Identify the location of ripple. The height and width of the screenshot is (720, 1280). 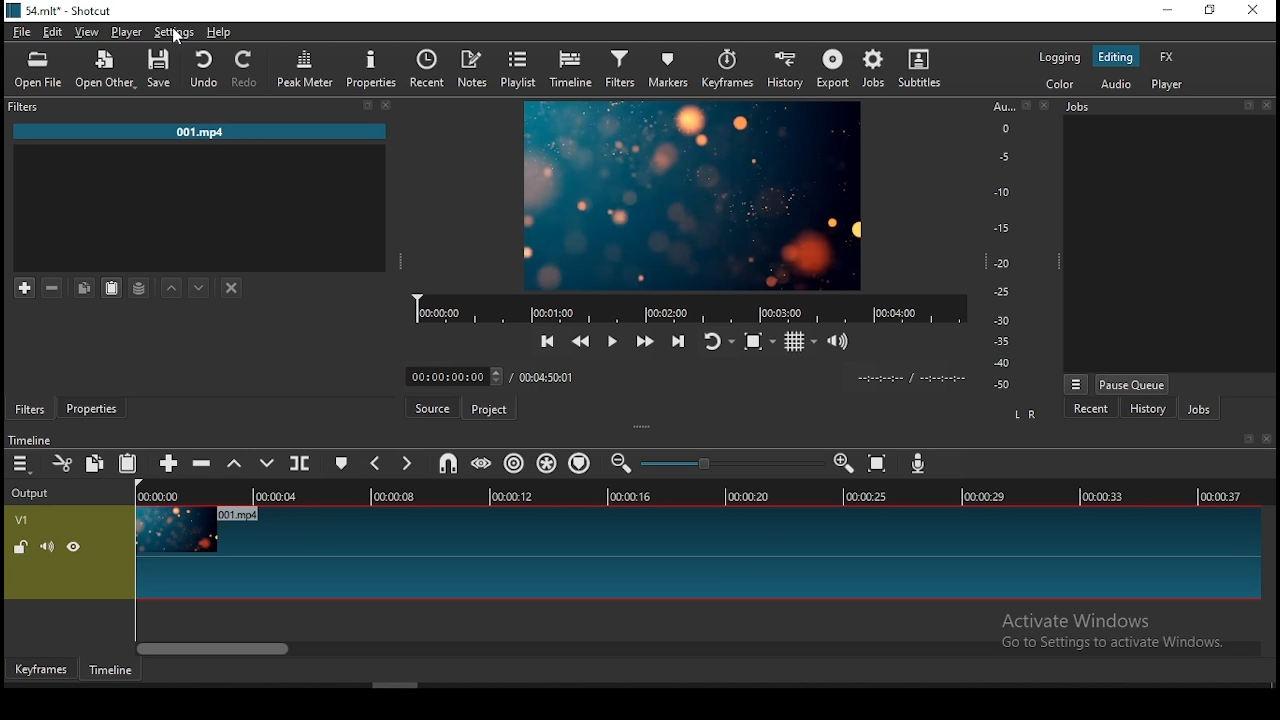
(515, 463).